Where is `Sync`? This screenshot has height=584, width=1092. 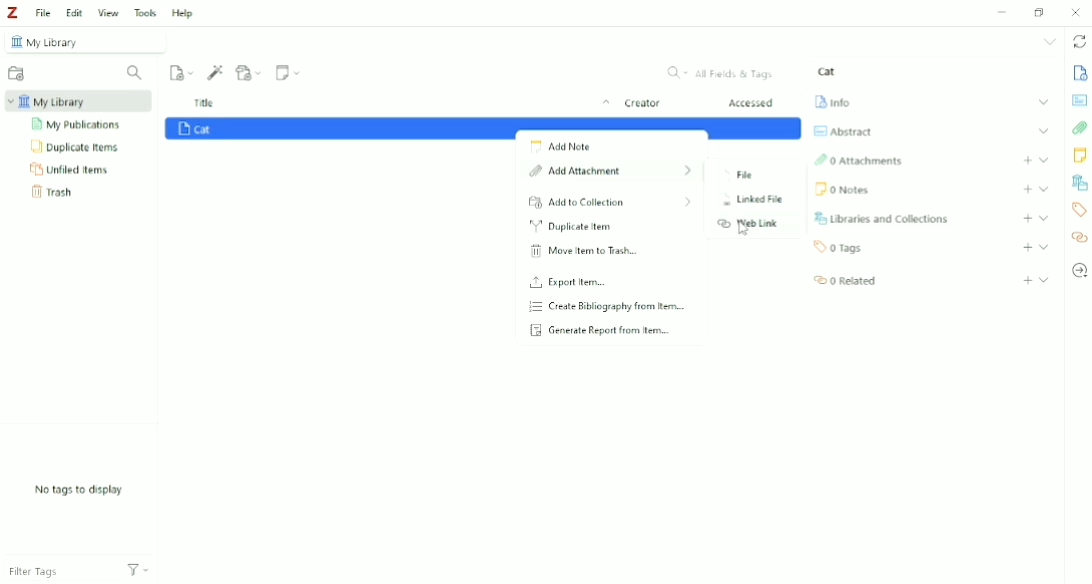
Sync is located at coordinates (1080, 43).